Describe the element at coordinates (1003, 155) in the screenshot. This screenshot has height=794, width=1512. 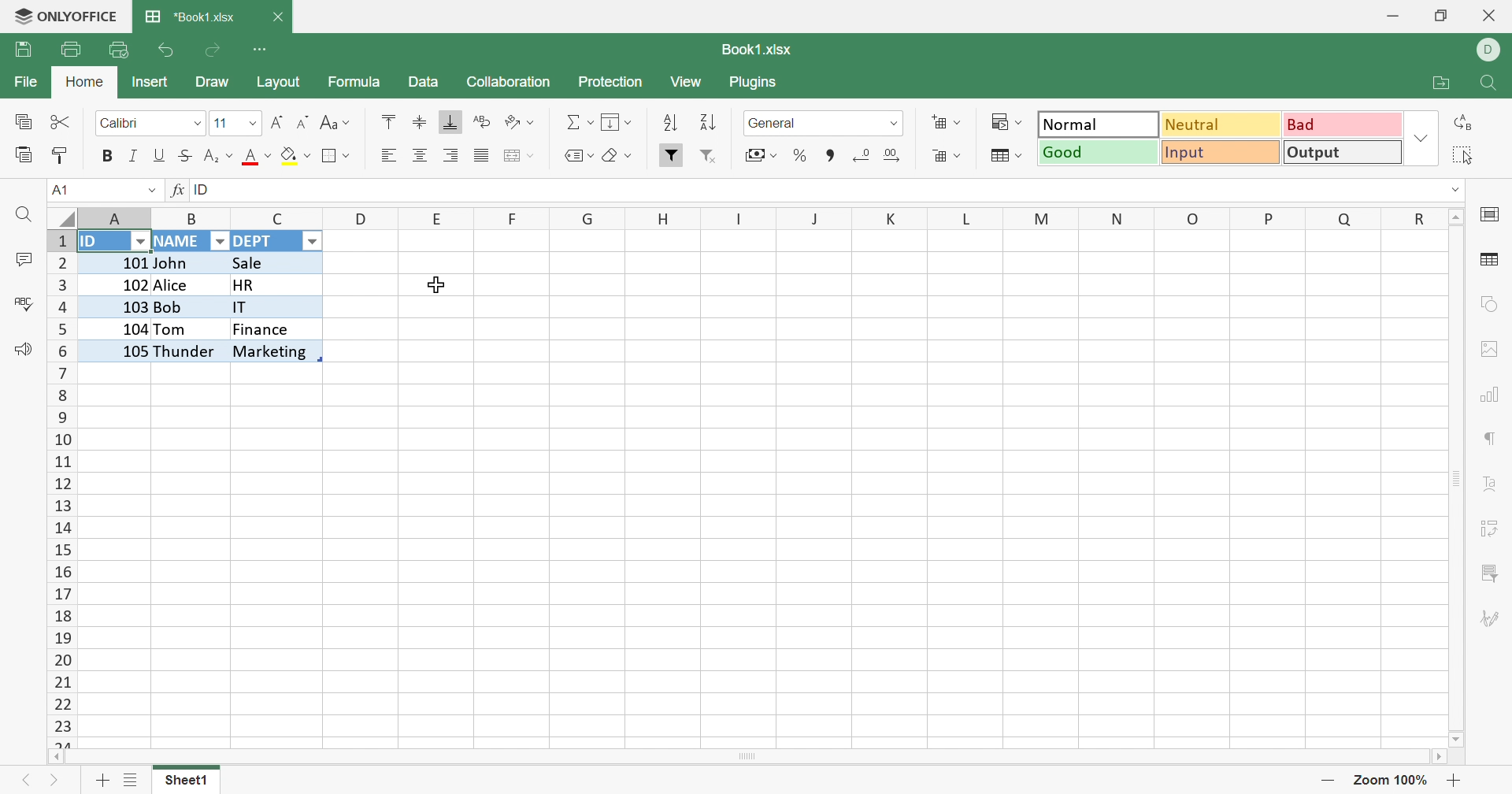
I see `Format Table as Template` at that location.